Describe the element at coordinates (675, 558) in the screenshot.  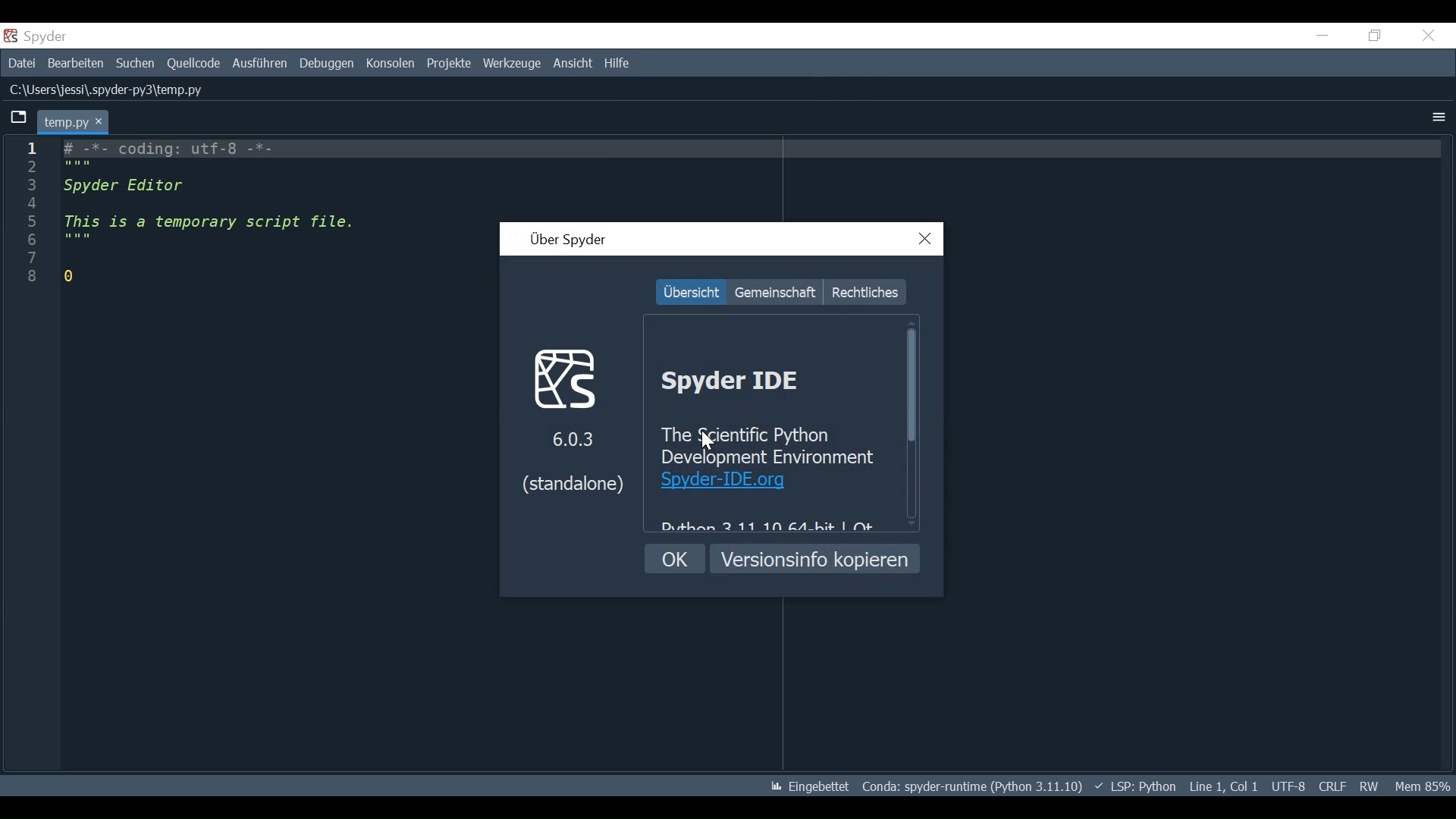
I see `OK` at that location.